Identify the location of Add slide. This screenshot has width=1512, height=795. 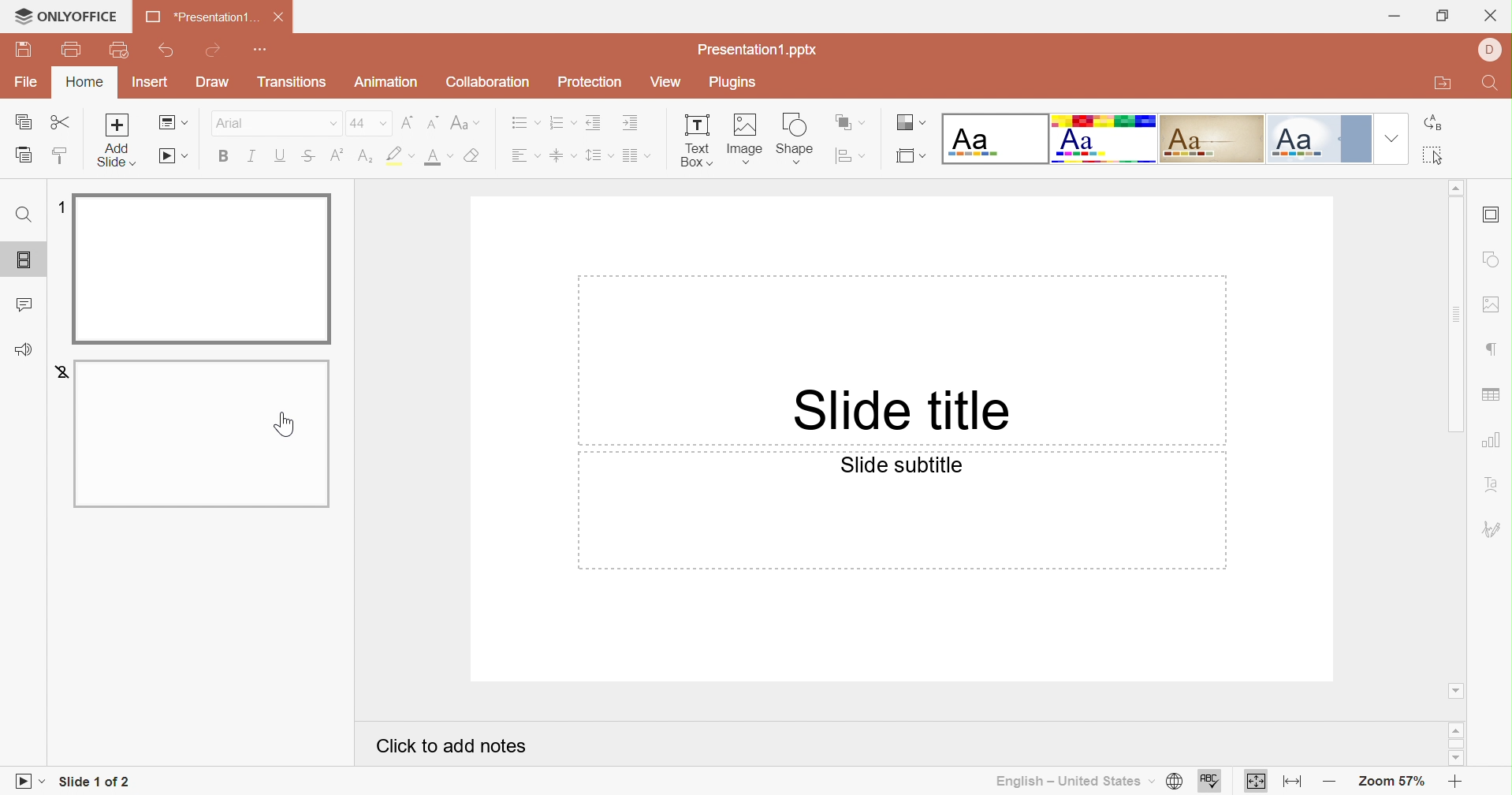
(117, 124).